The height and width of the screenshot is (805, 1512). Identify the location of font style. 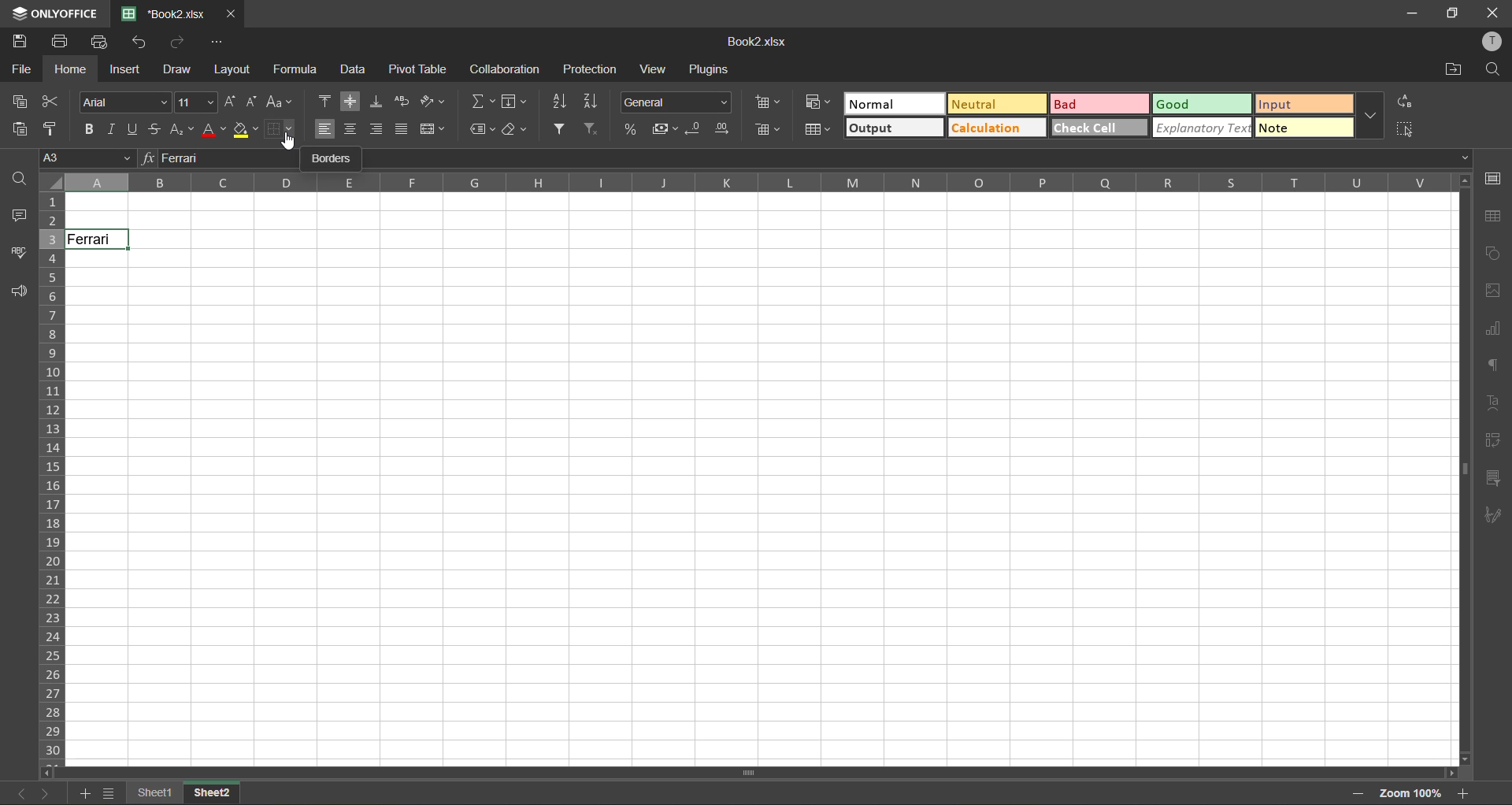
(124, 102).